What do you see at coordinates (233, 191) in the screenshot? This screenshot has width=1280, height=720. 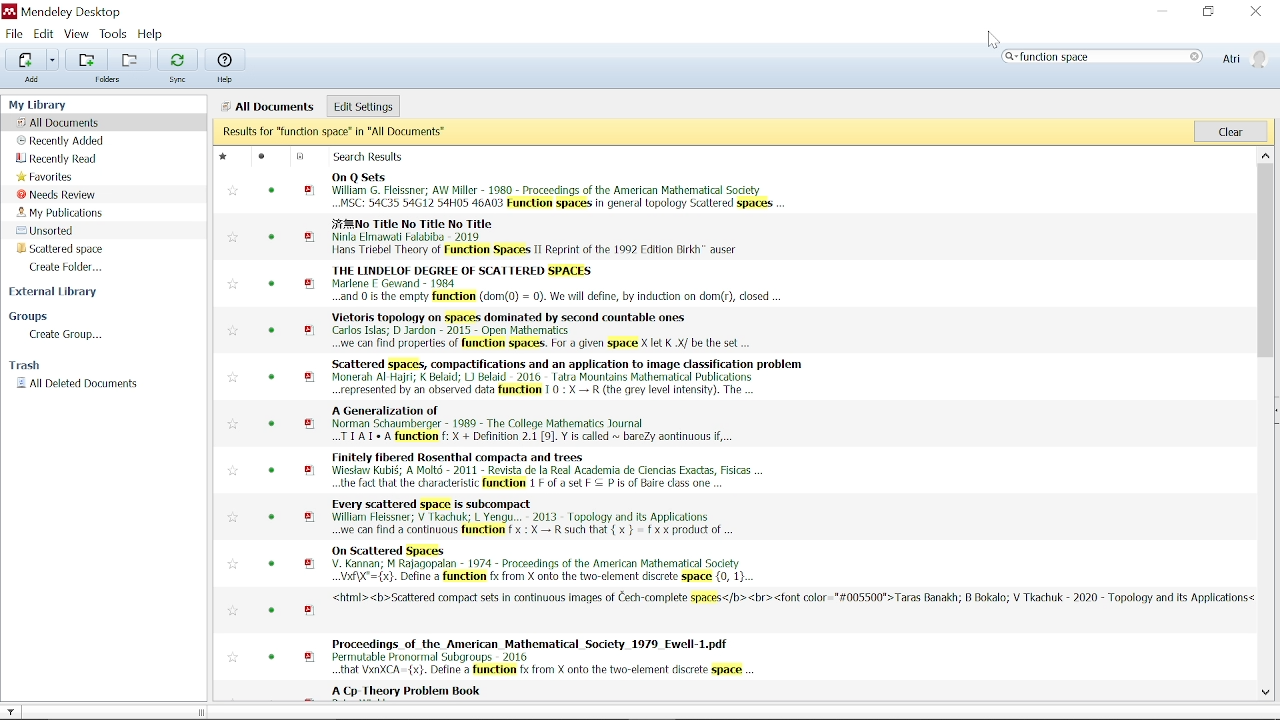 I see `Add to favorite` at bounding box center [233, 191].